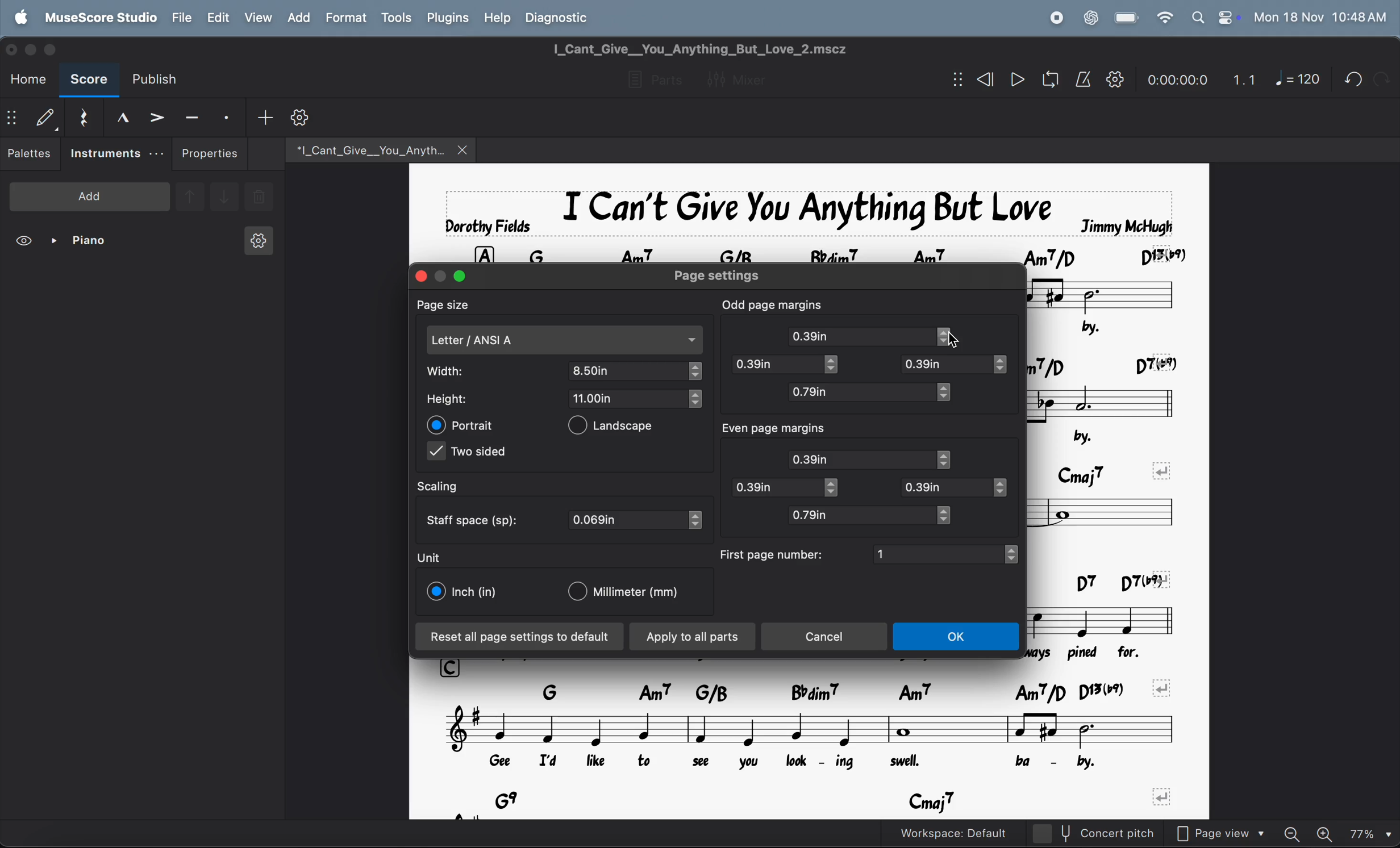 This screenshot has height=848, width=1400. What do you see at coordinates (720, 49) in the screenshot?
I see `song page title` at bounding box center [720, 49].